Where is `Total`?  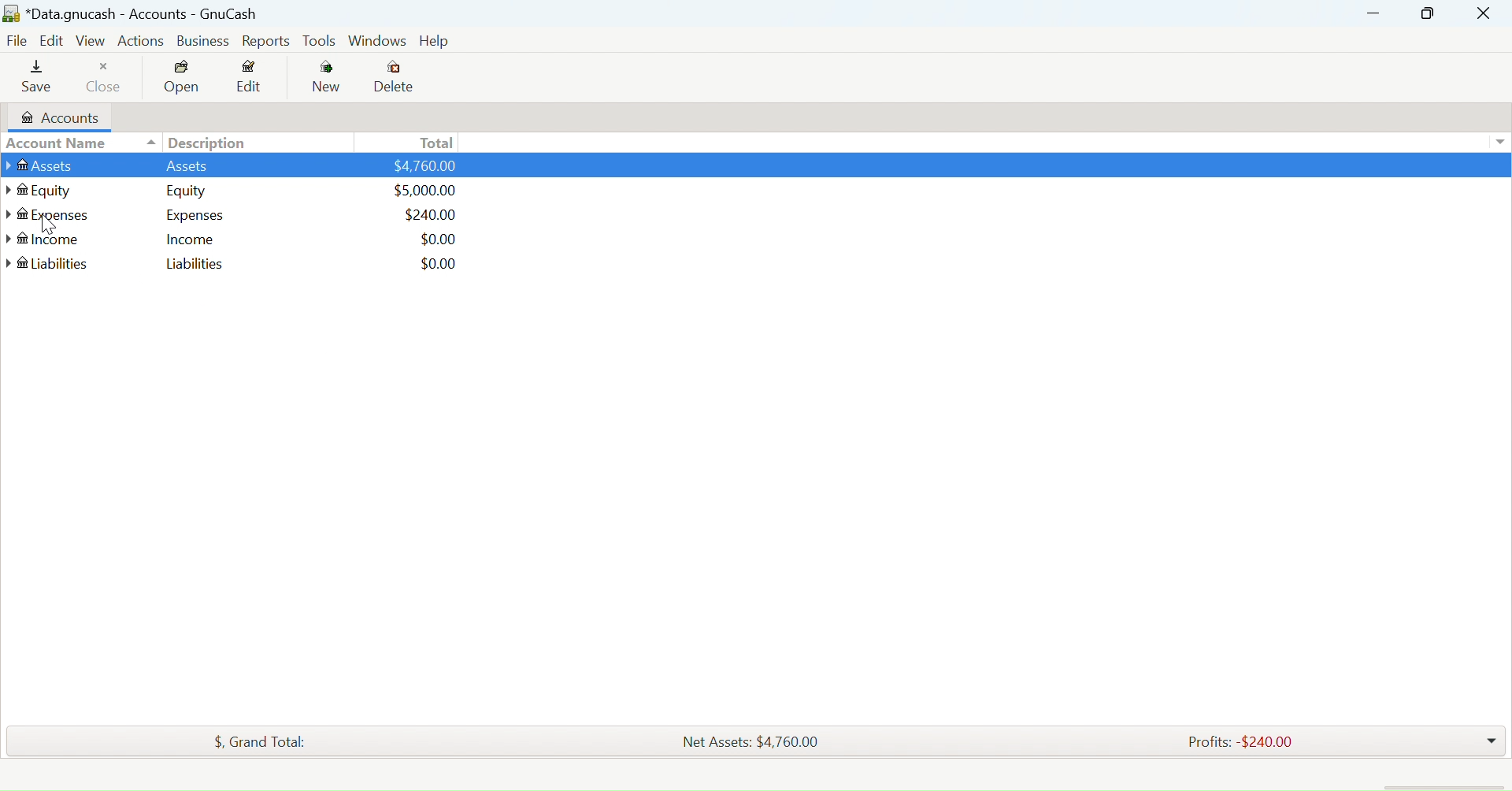
Total is located at coordinates (435, 143).